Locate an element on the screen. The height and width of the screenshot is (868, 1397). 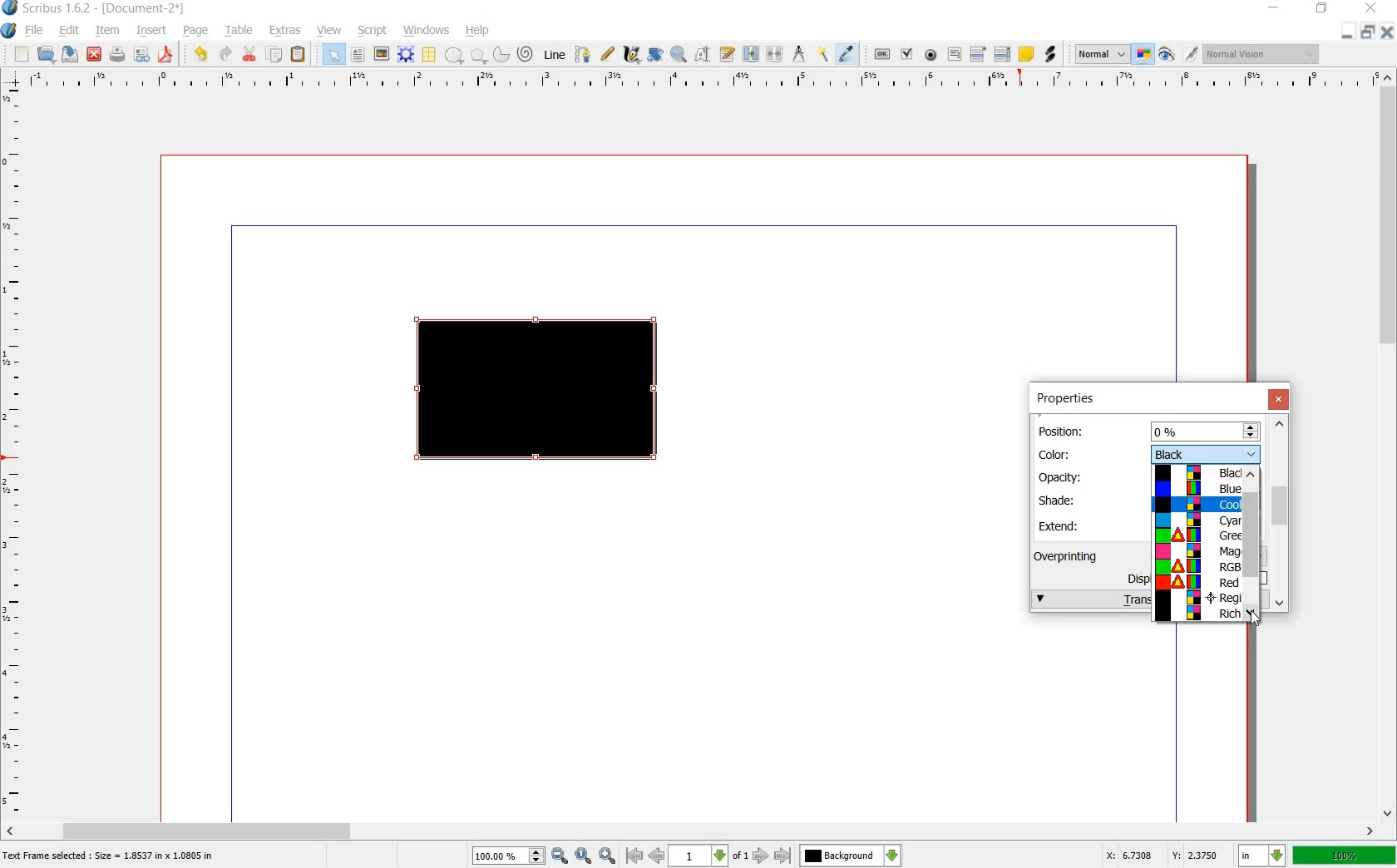
print is located at coordinates (117, 55).